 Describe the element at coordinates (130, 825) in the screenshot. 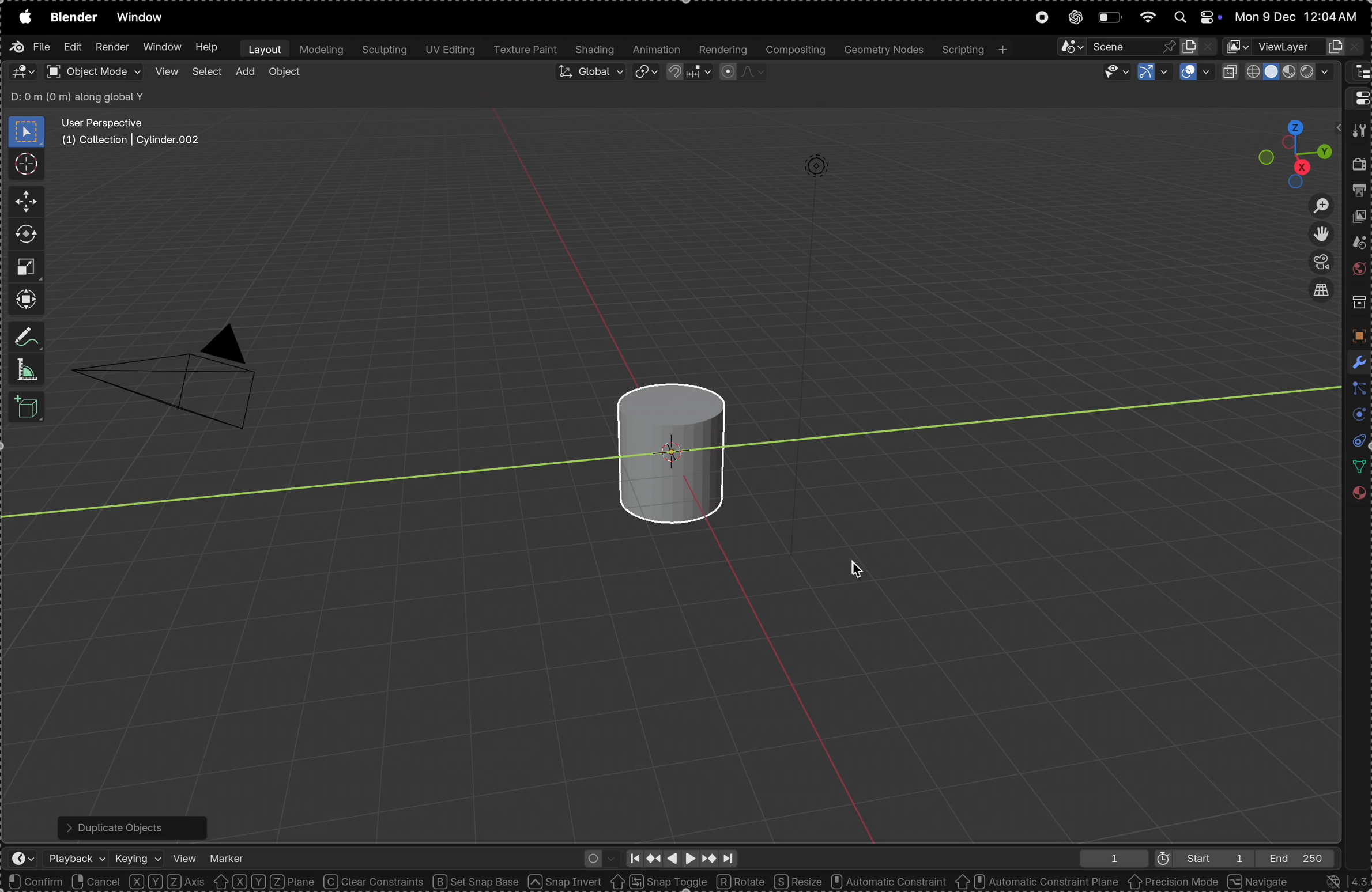

I see `Duplicate objects` at that location.